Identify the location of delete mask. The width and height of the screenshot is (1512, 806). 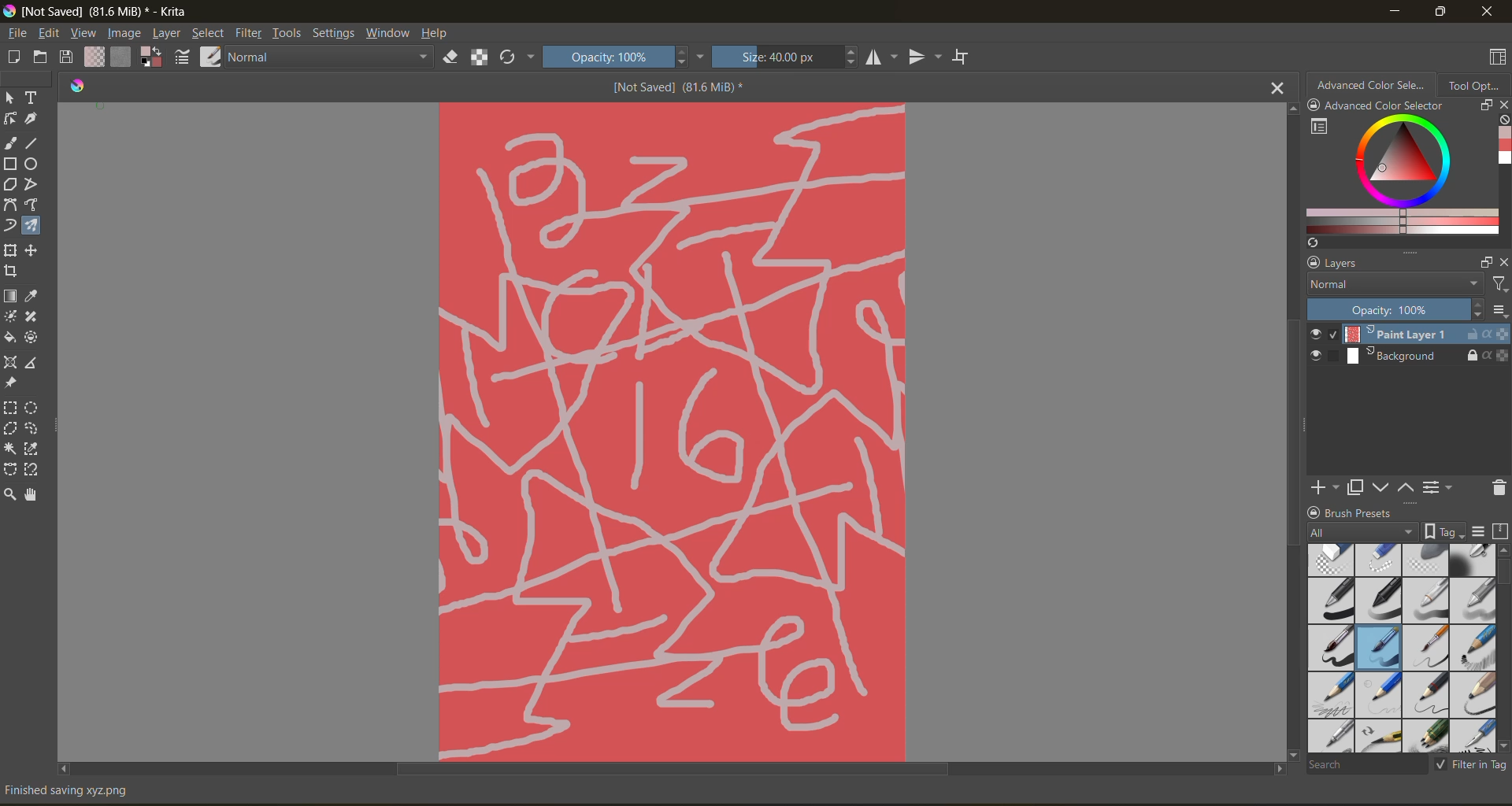
(1499, 490).